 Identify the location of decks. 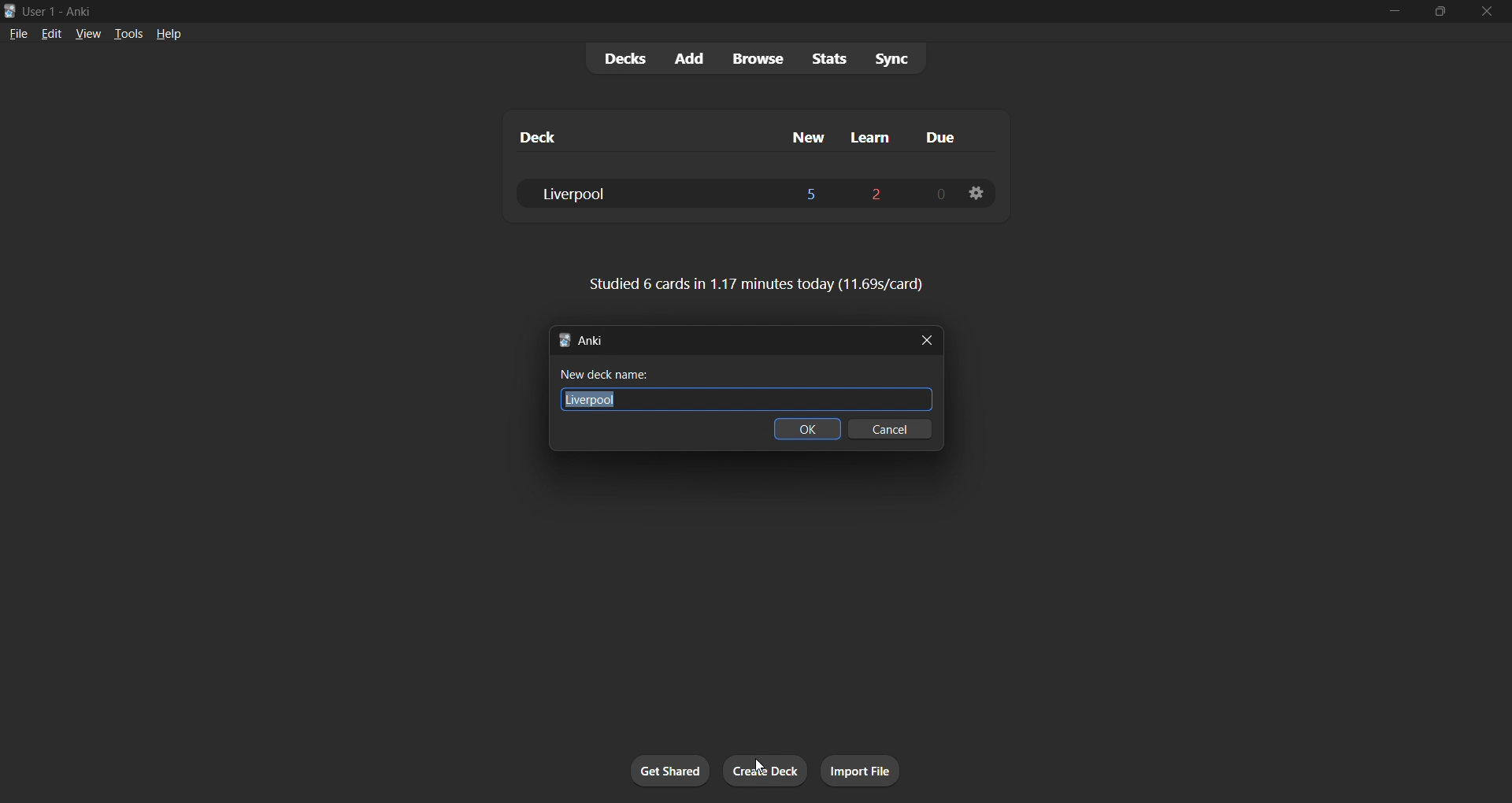
(618, 60).